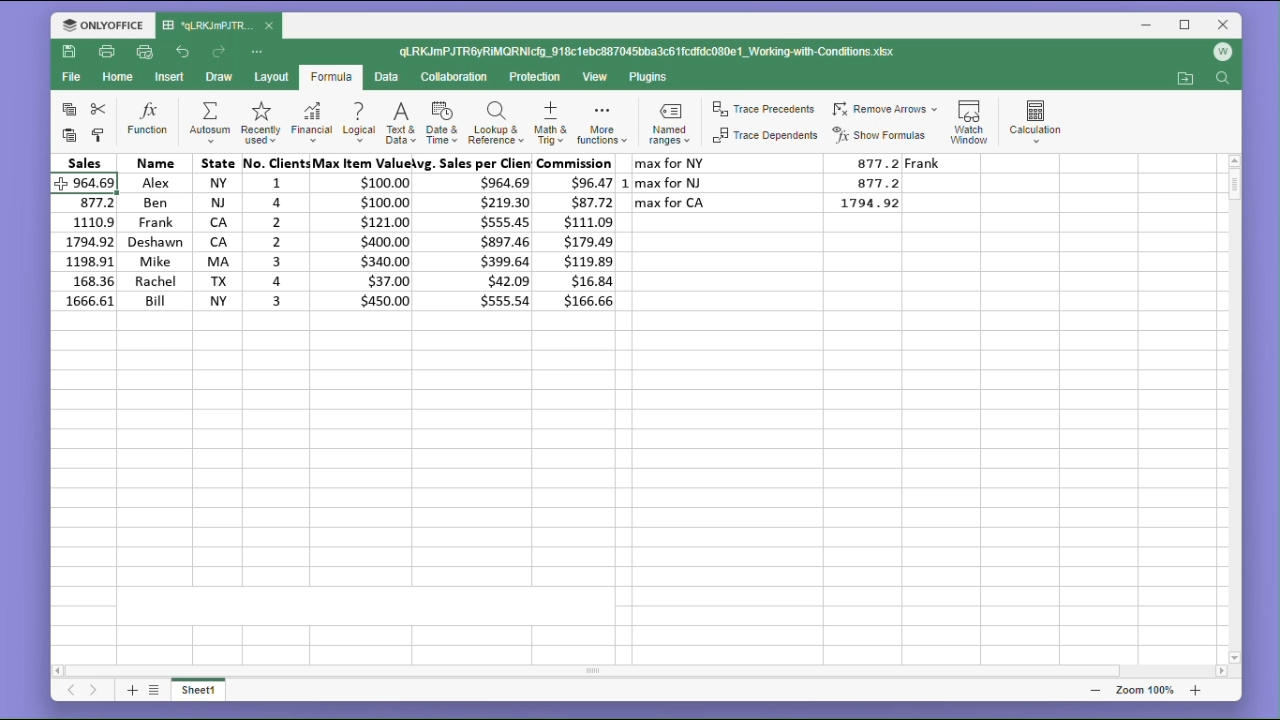  I want to click on trace predecents, so click(762, 110).